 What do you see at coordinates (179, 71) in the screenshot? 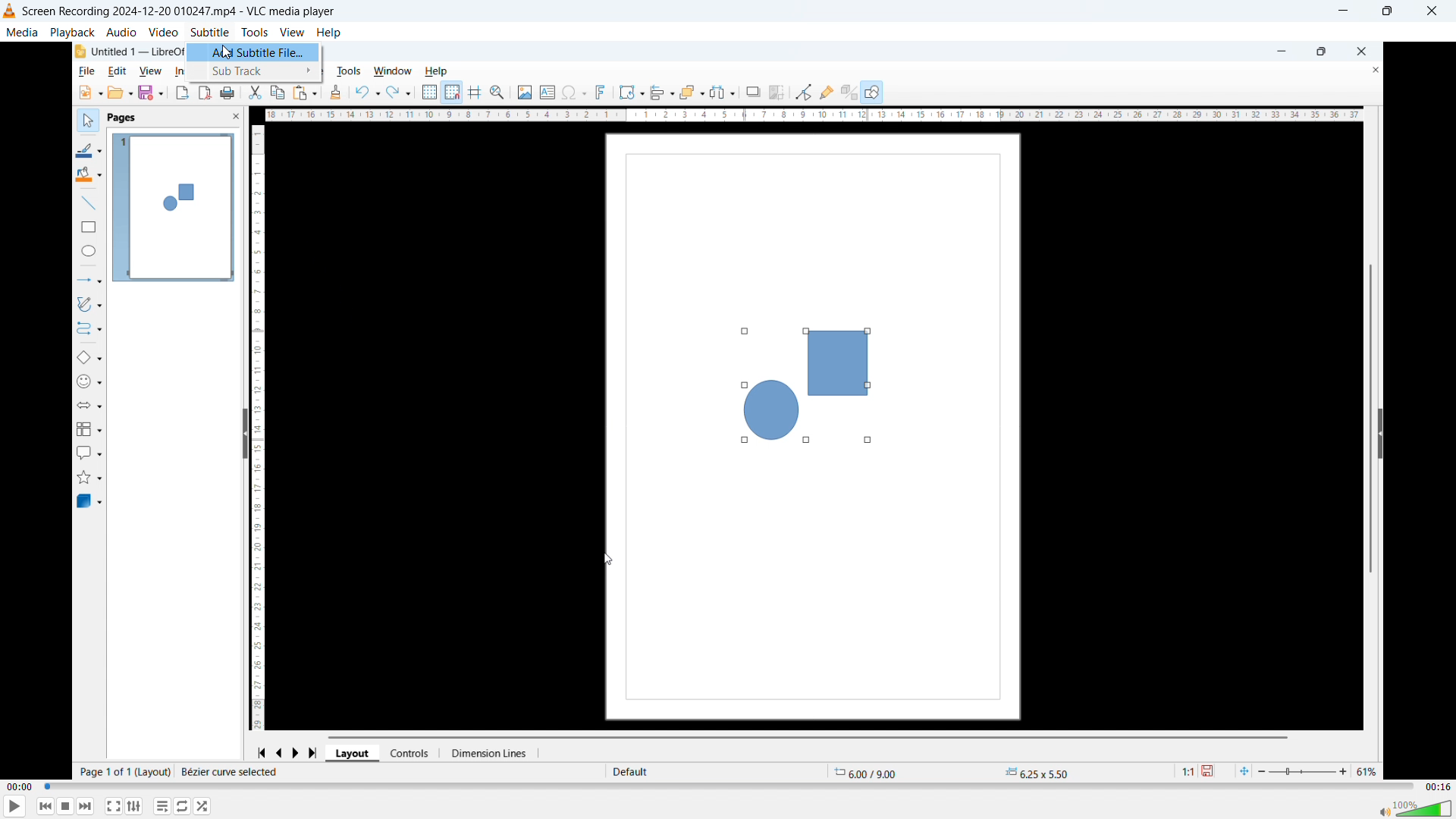
I see `insert` at bounding box center [179, 71].